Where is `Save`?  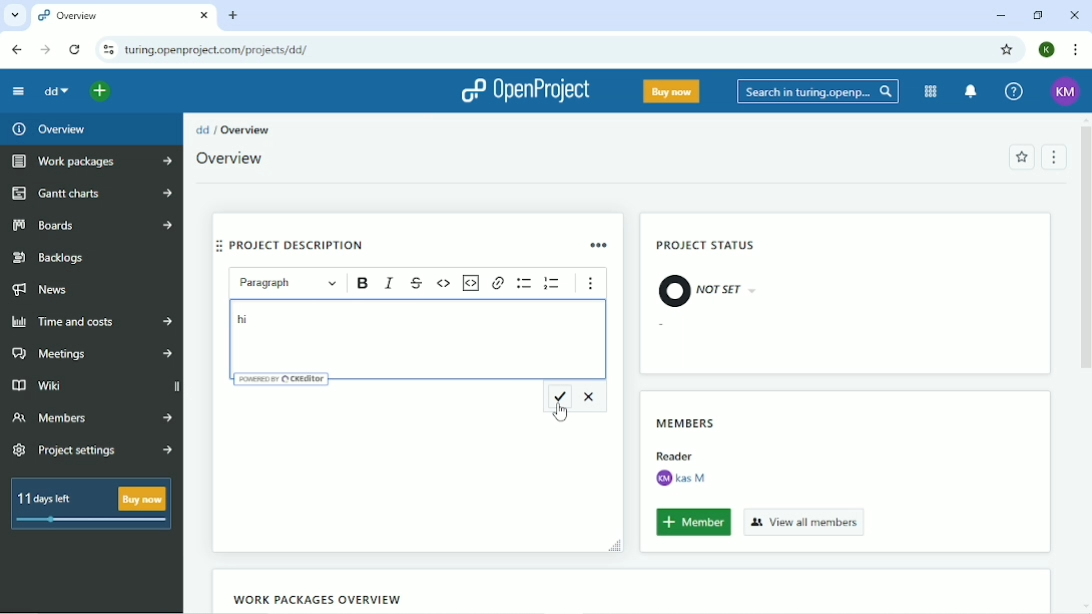
Save is located at coordinates (559, 397).